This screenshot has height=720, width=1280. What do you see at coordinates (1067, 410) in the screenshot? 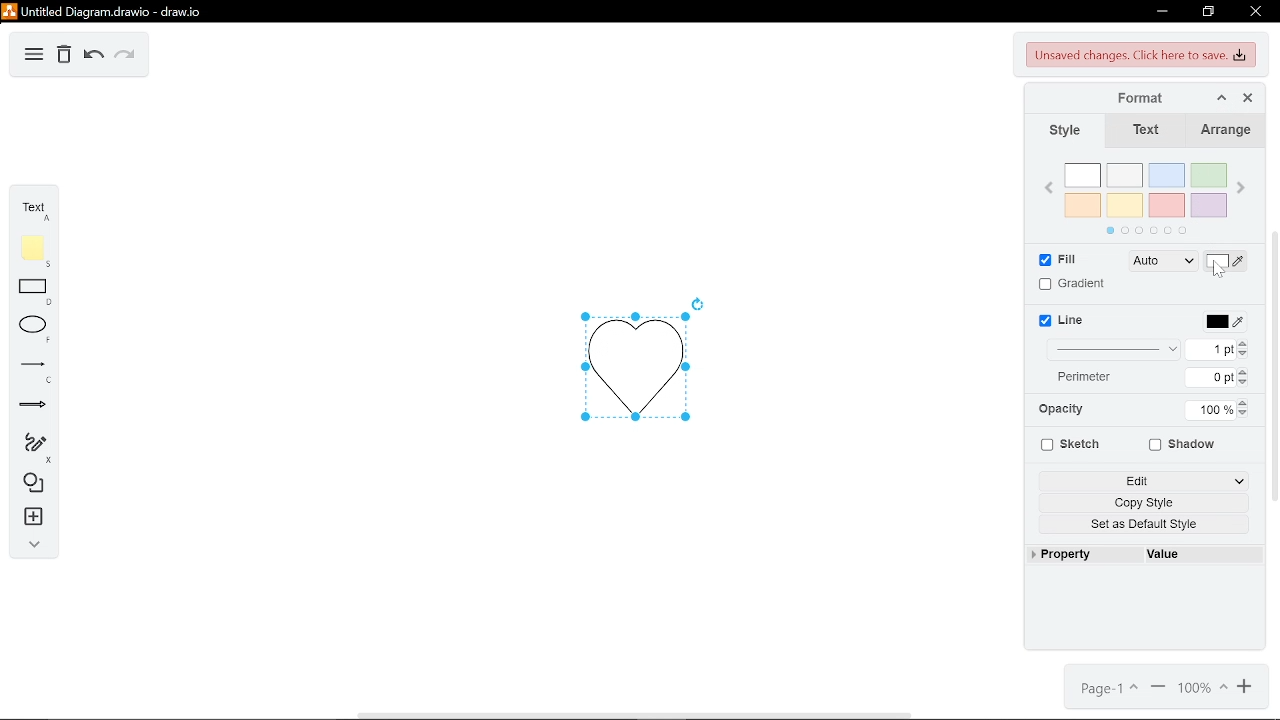
I see `Opacity` at bounding box center [1067, 410].